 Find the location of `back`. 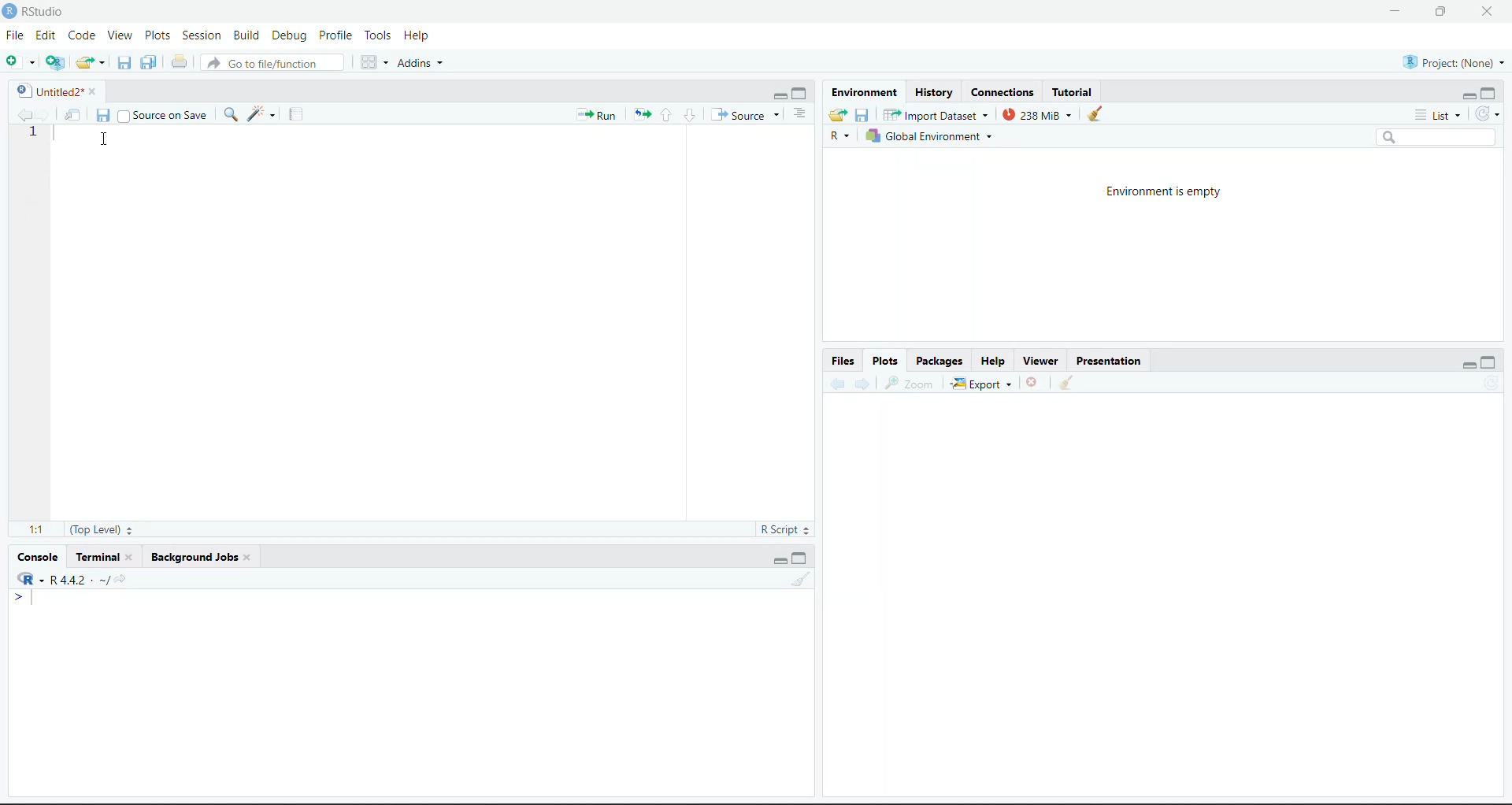

back is located at coordinates (836, 384).